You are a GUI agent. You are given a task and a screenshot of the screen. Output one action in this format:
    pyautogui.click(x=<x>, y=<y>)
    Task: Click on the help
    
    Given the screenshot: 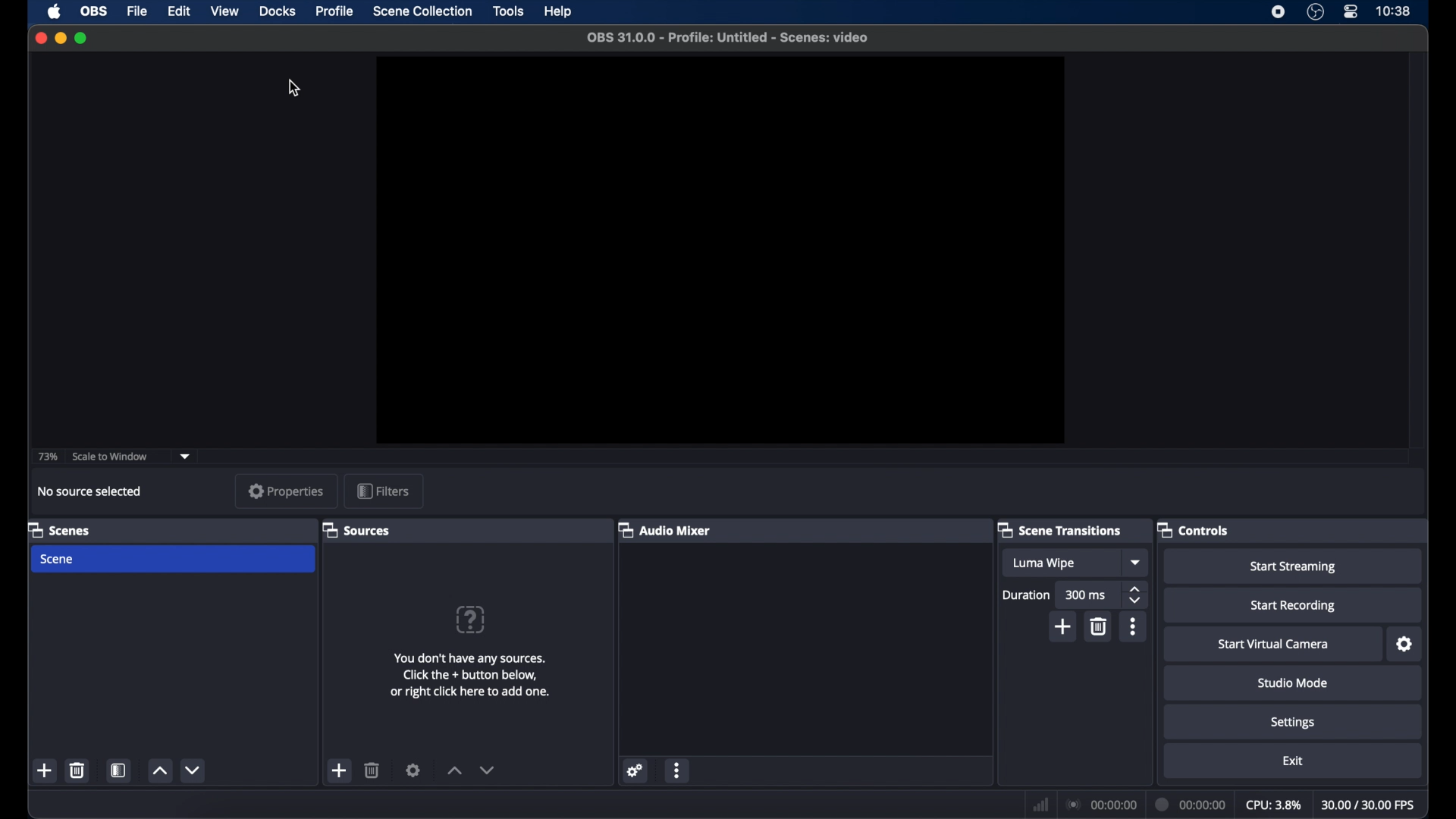 What is the action you would take?
    pyautogui.click(x=469, y=619)
    